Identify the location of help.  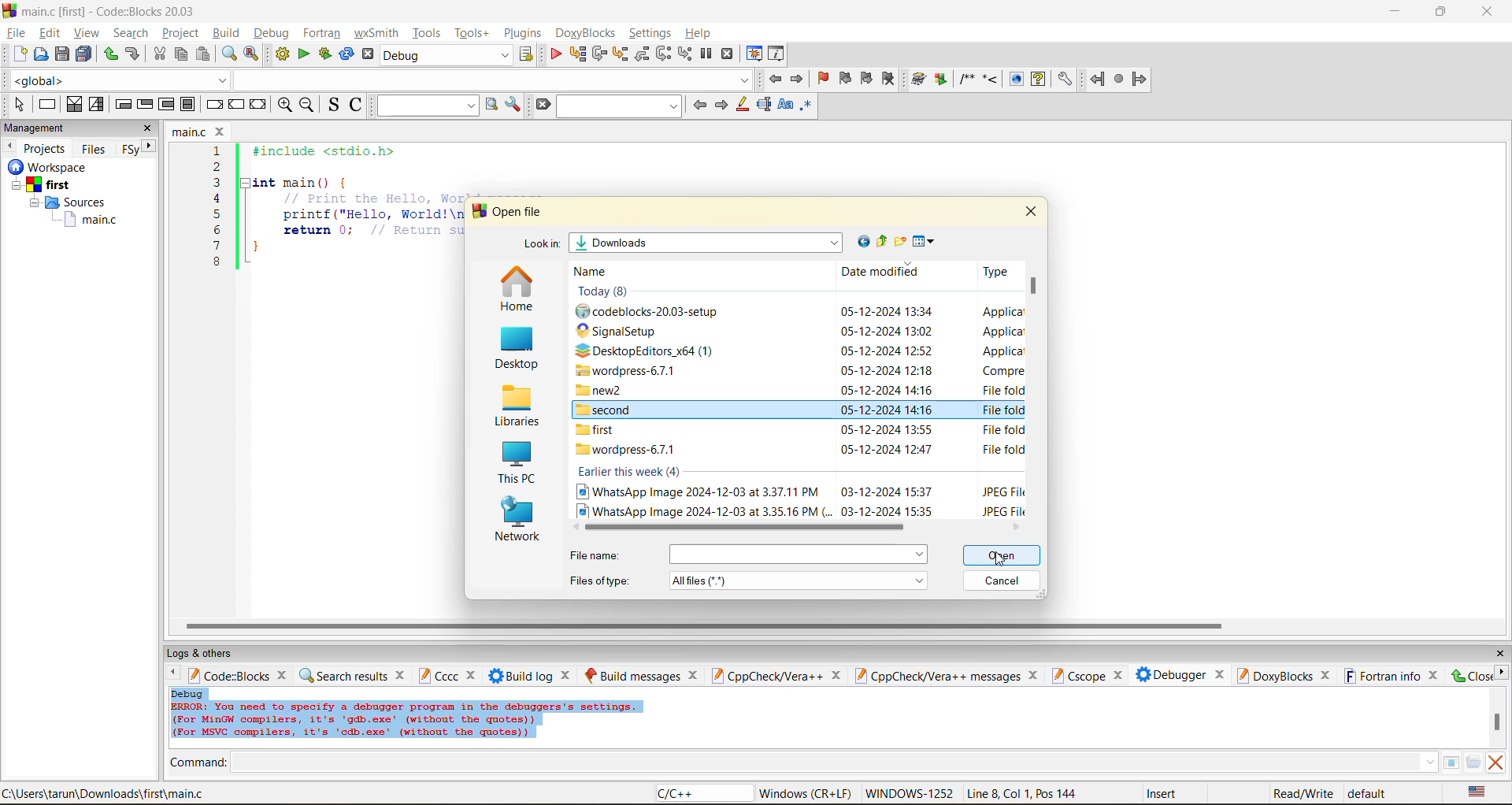
(1038, 79).